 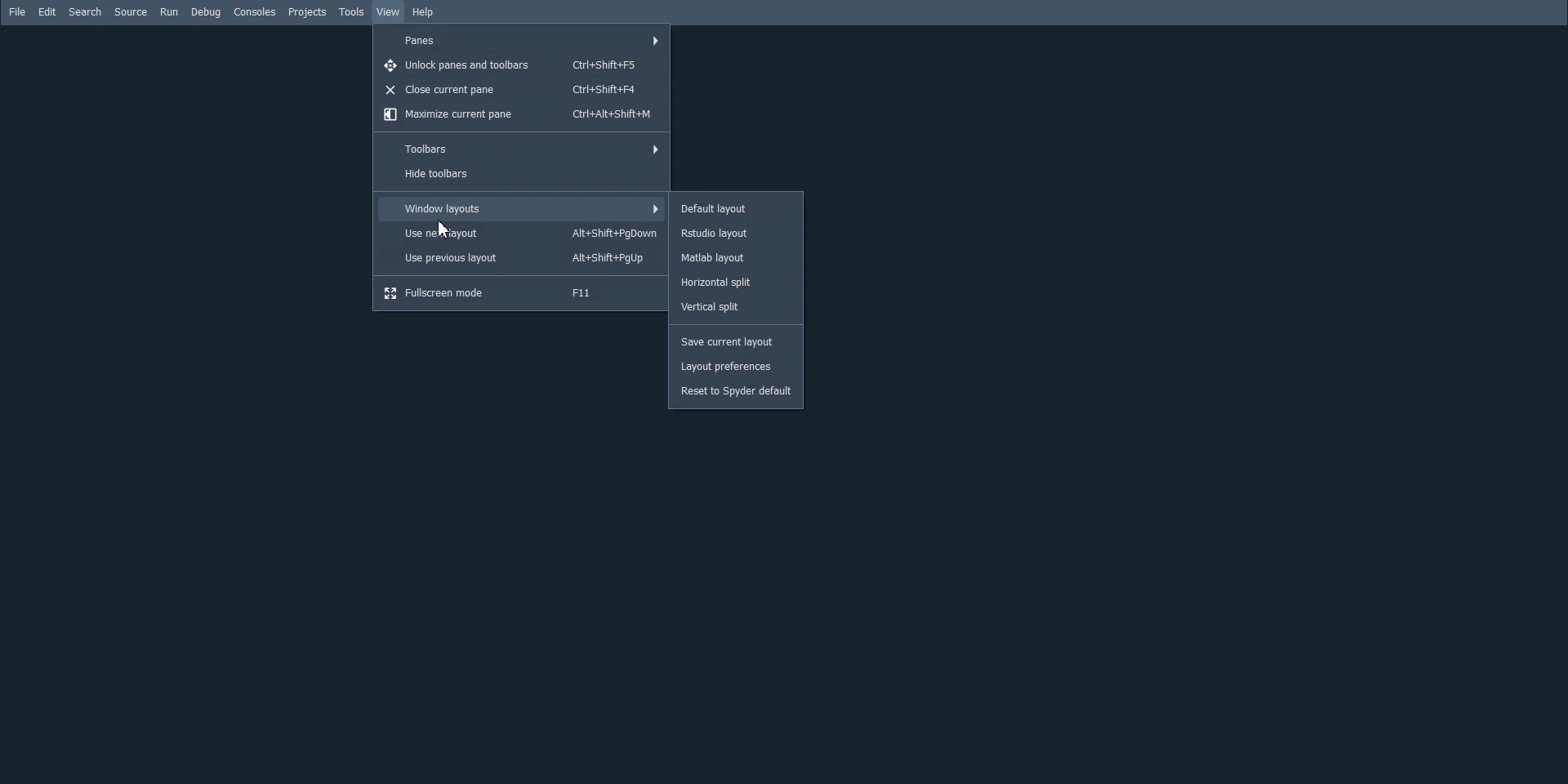 I want to click on Vertical split, so click(x=736, y=307).